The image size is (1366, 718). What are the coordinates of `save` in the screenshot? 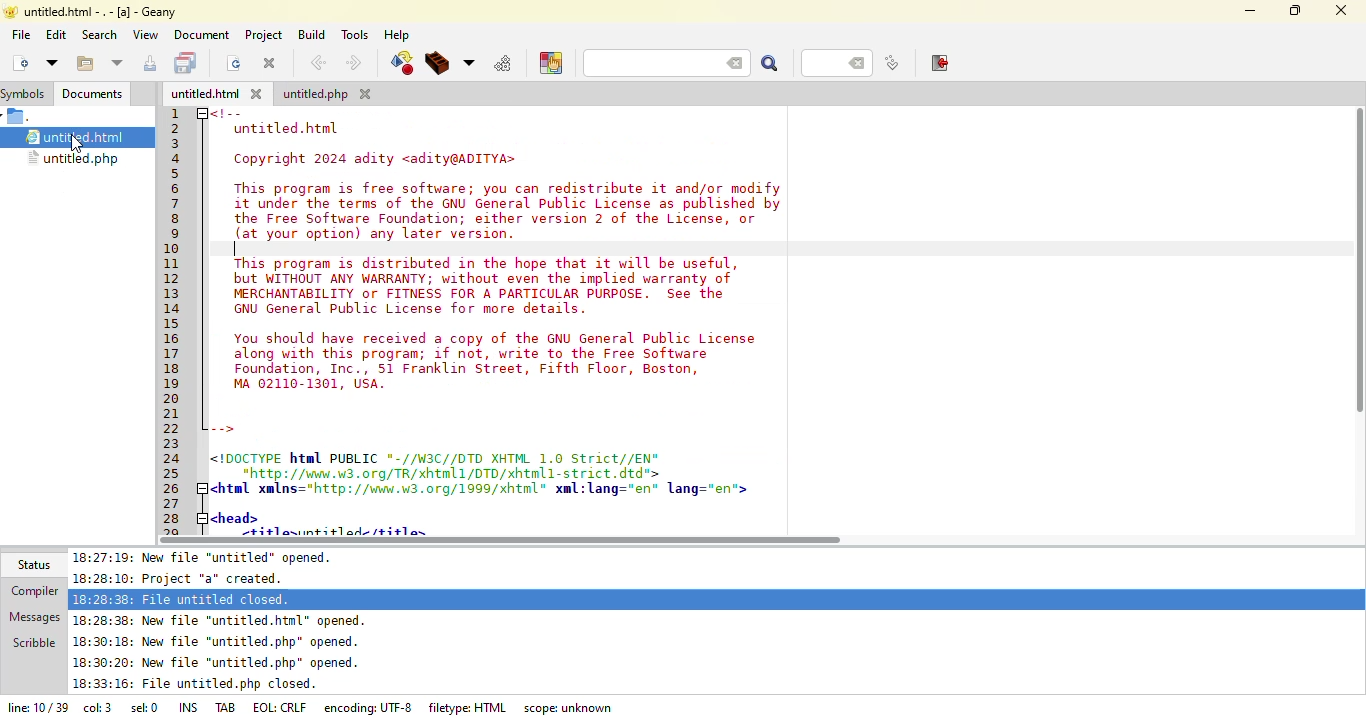 It's located at (187, 62).